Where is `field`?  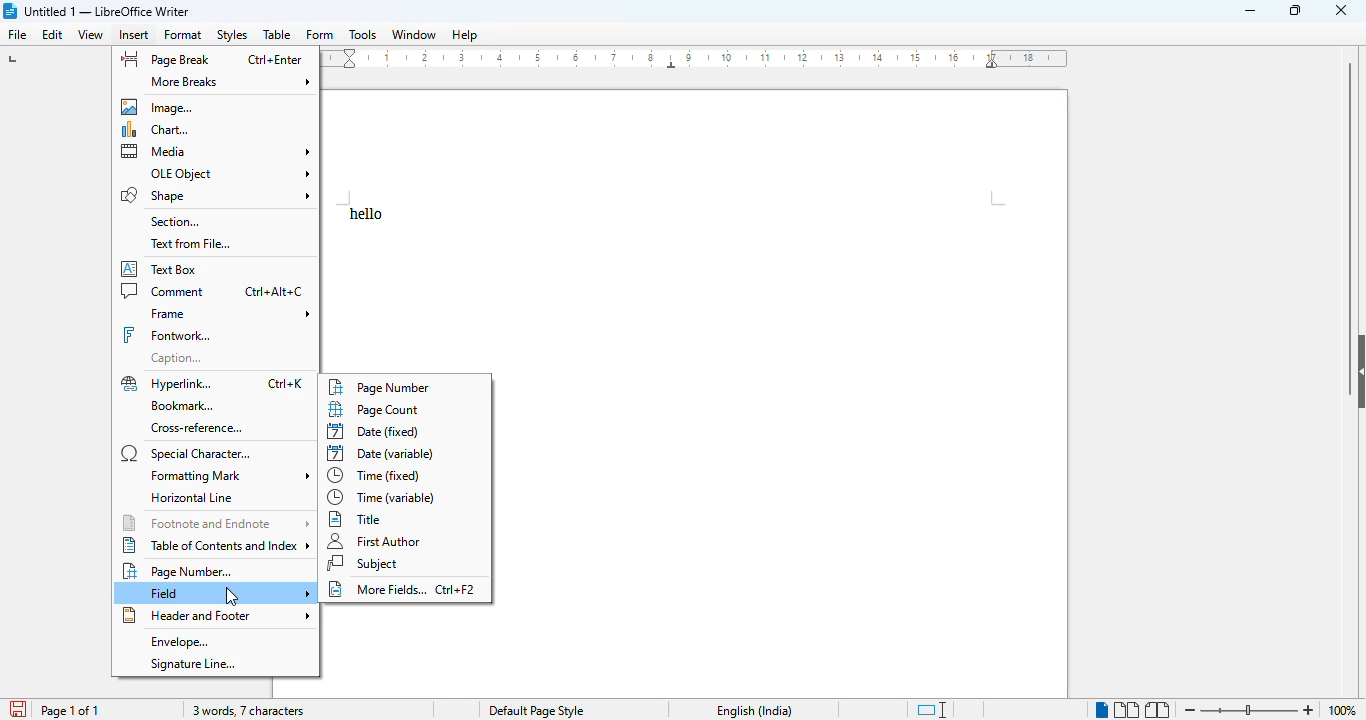
field is located at coordinates (229, 593).